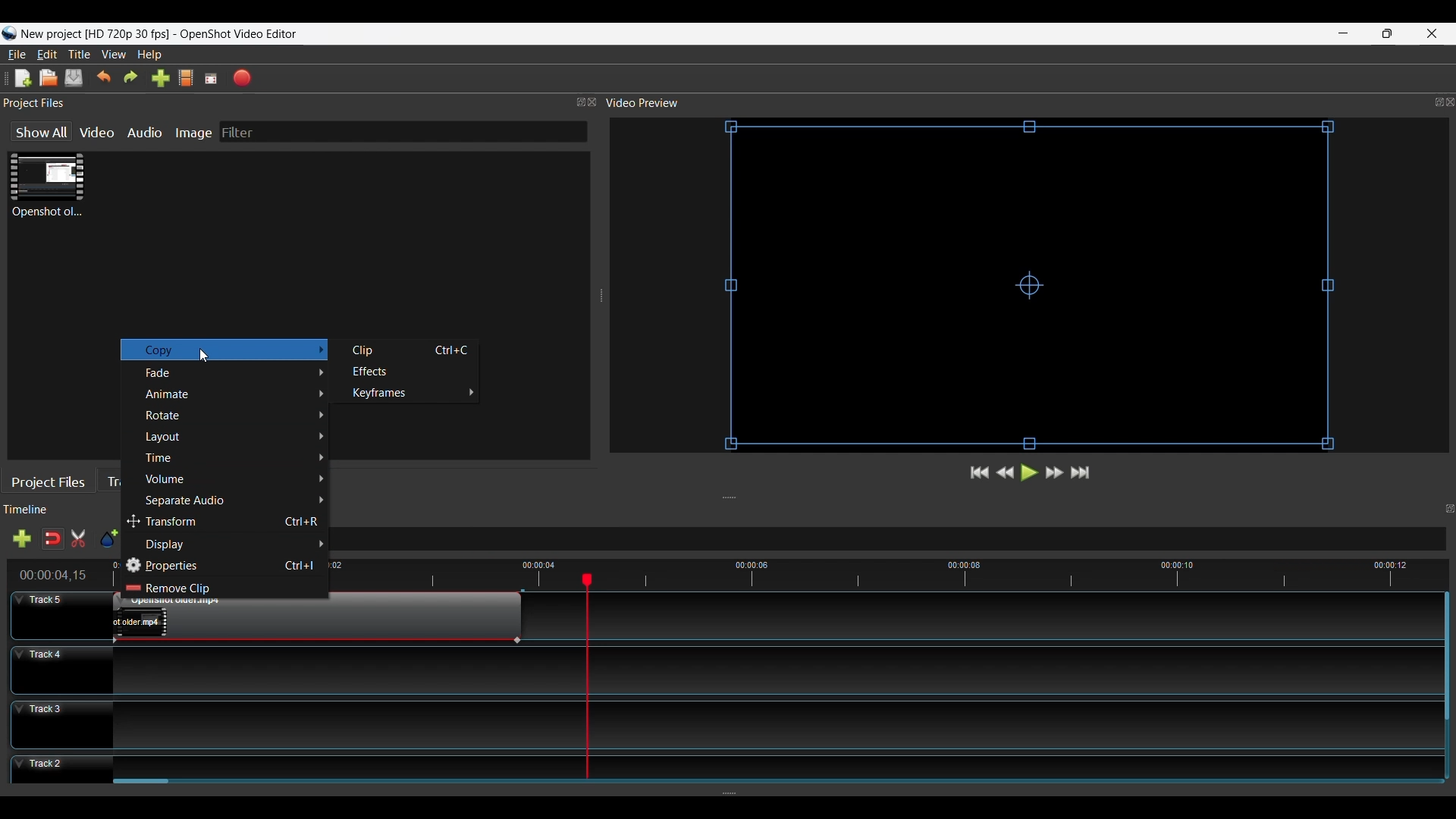 This screenshot has width=1456, height=819. What do you see at coordinates (151, 55) in the screenshot?
I see `Help` at bounding box center [151, 55].